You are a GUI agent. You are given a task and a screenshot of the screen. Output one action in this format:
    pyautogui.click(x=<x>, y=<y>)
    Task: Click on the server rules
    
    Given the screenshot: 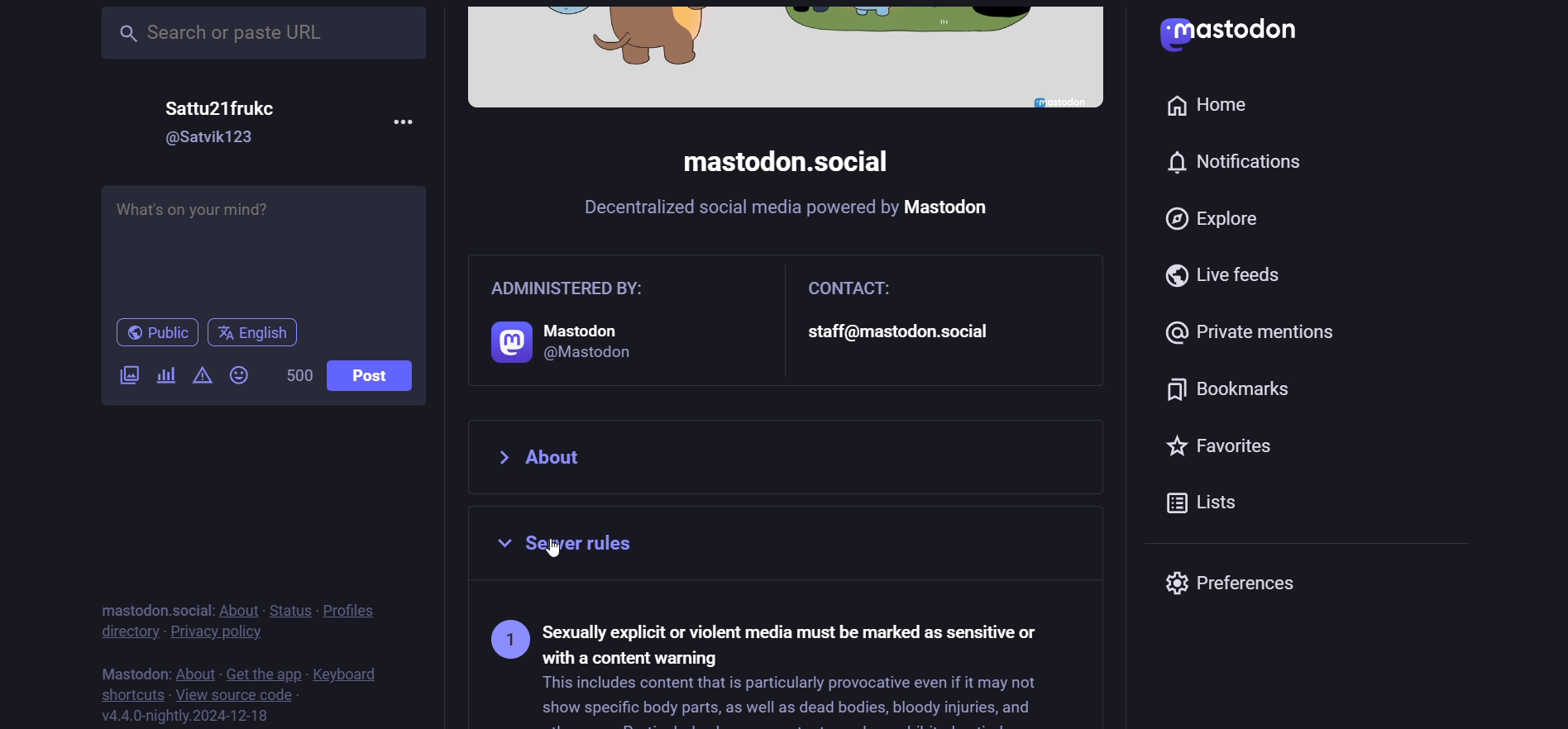 What is the action you would take?
    pyautogui.click(x=789, y=547)
    